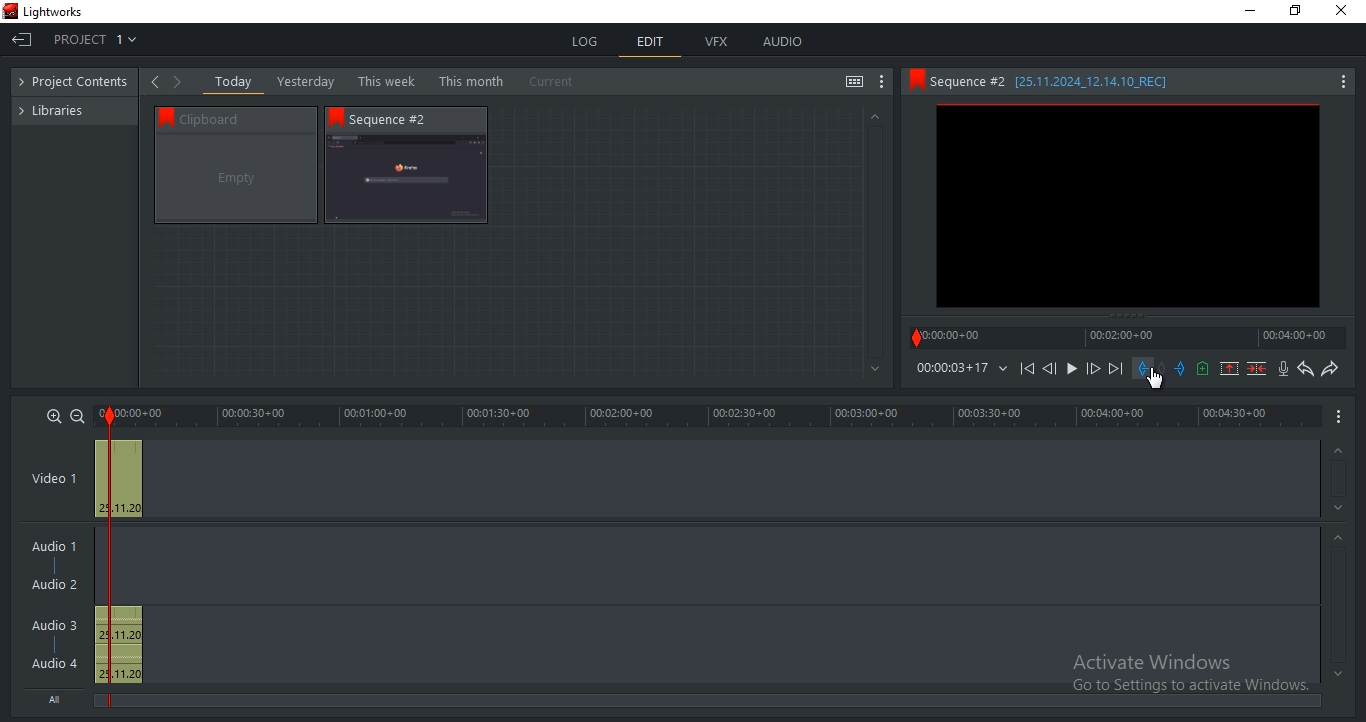 The height and width of the screenshot is (722, 1366). Describe the element at coordinates (59, 697) in the screenshot. I see `All` at that location.